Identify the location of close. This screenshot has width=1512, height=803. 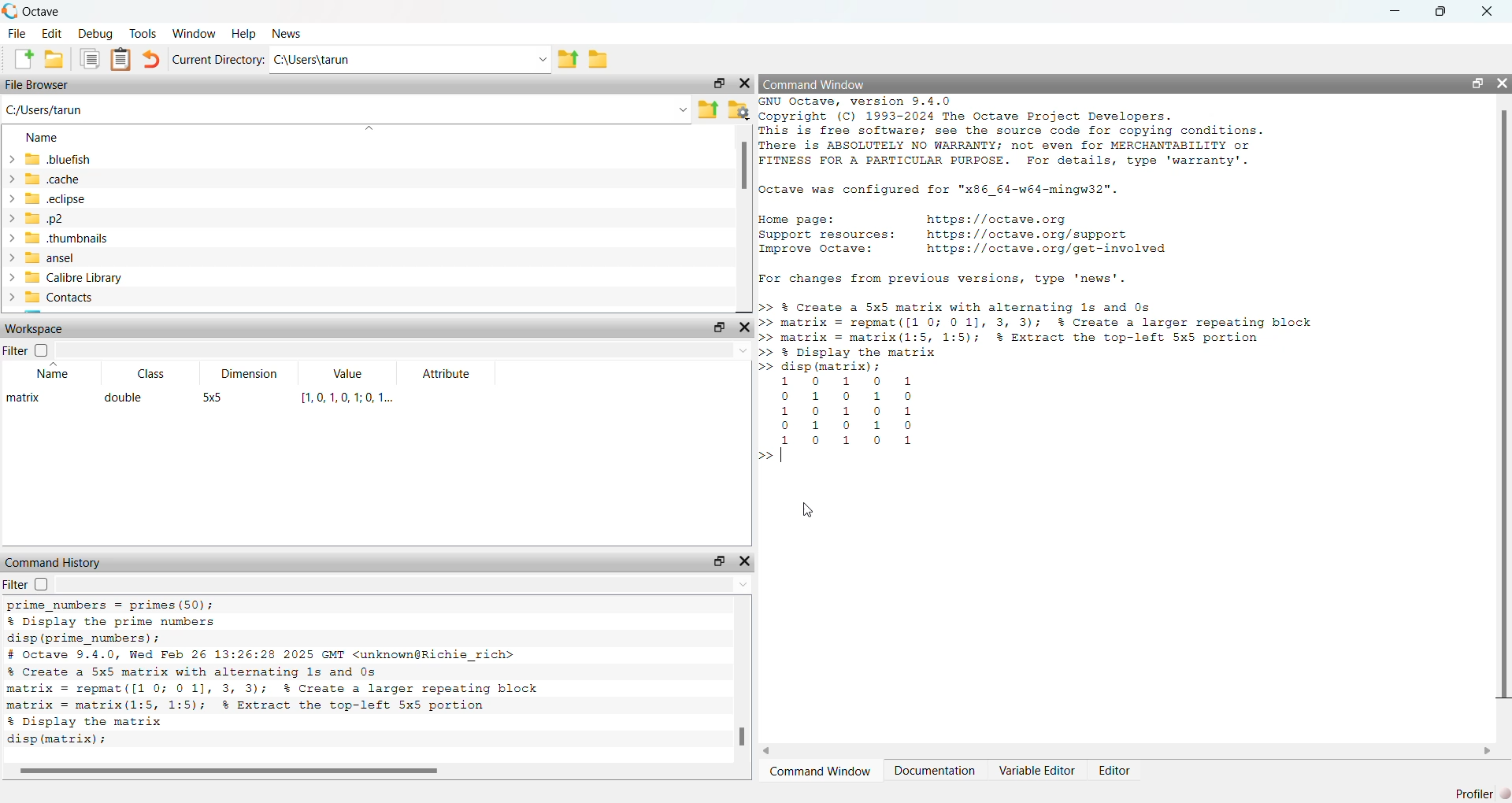
(745, 561).